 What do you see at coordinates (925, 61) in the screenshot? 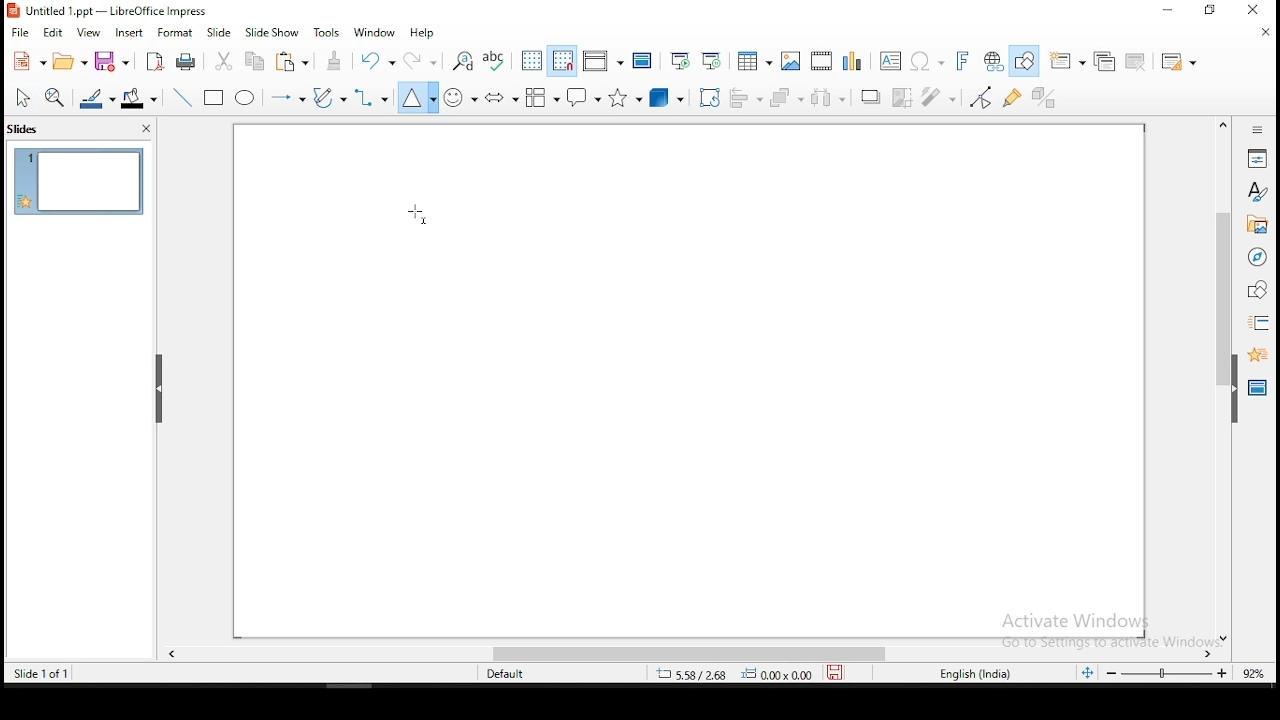
I see `special characters` at bounding box center [925, 61].